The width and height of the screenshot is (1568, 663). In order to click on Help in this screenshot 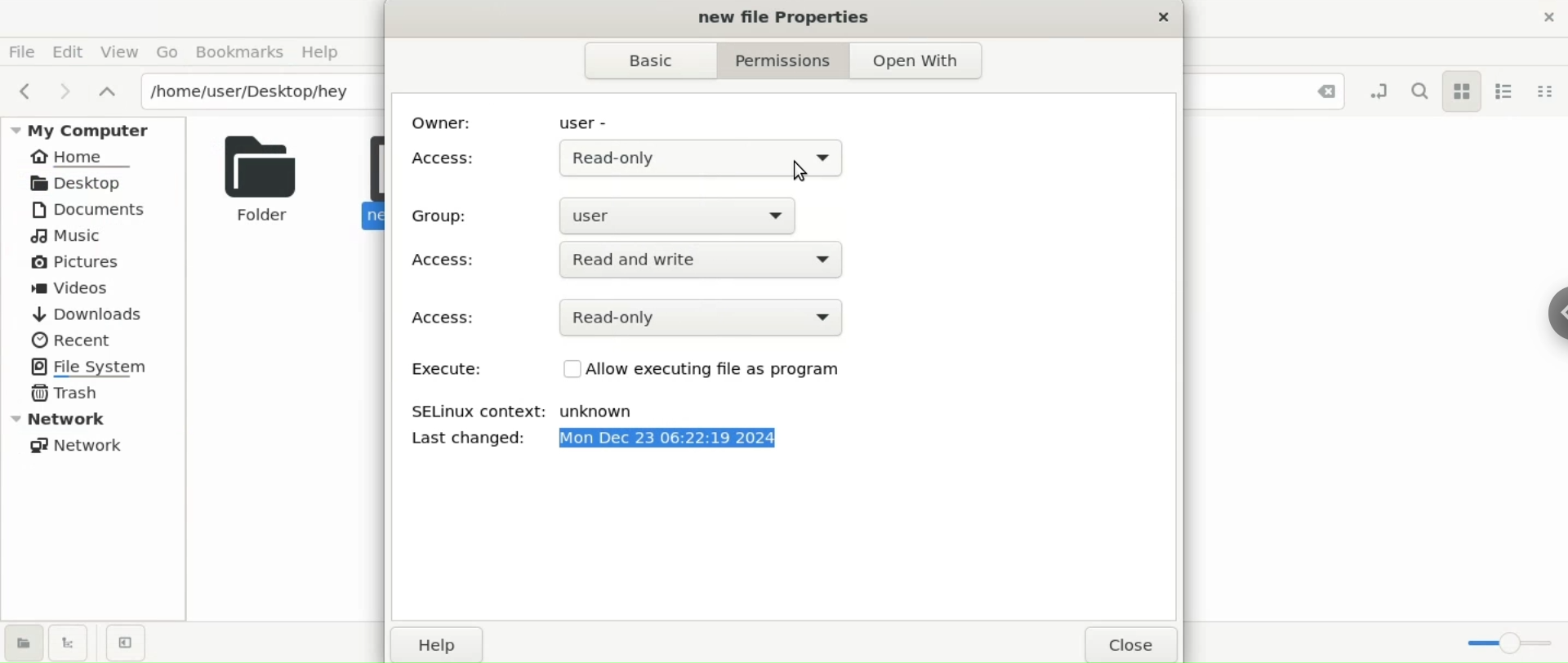, I will do `click(442, 647)`.